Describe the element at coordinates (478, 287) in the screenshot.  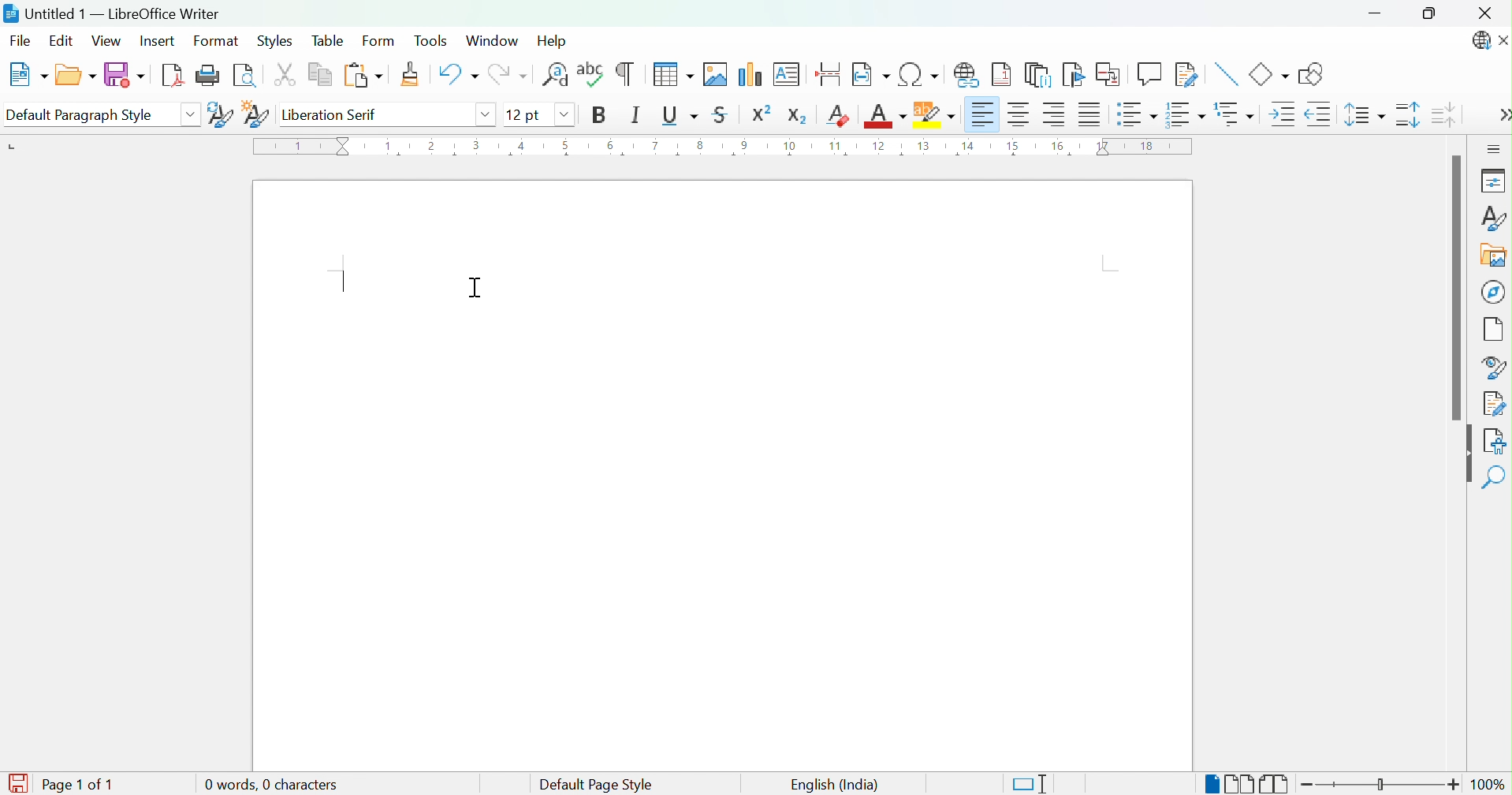
I see `Cursor` at that location.